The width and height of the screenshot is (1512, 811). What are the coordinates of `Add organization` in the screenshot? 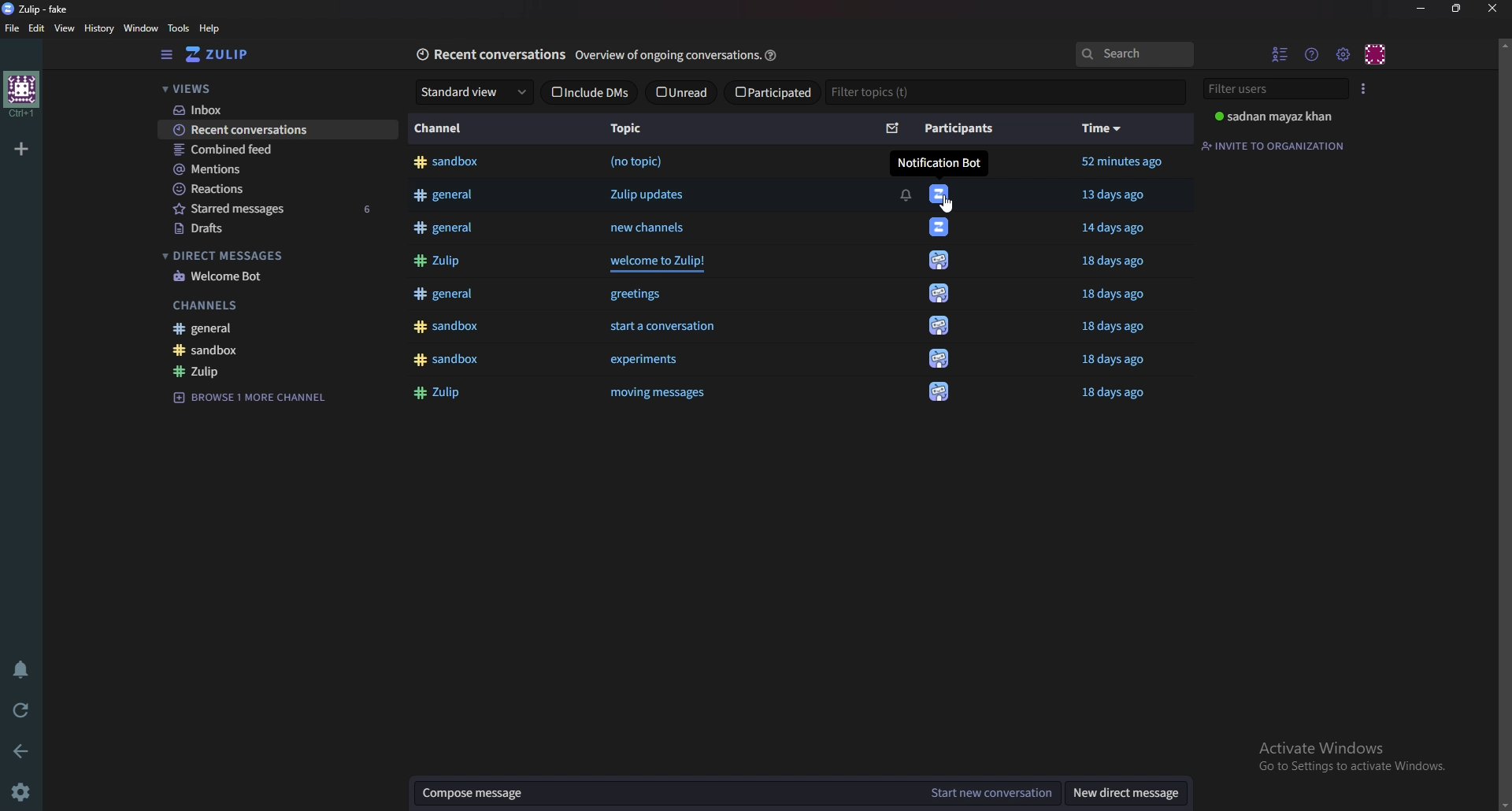 It's located at (24, 146).